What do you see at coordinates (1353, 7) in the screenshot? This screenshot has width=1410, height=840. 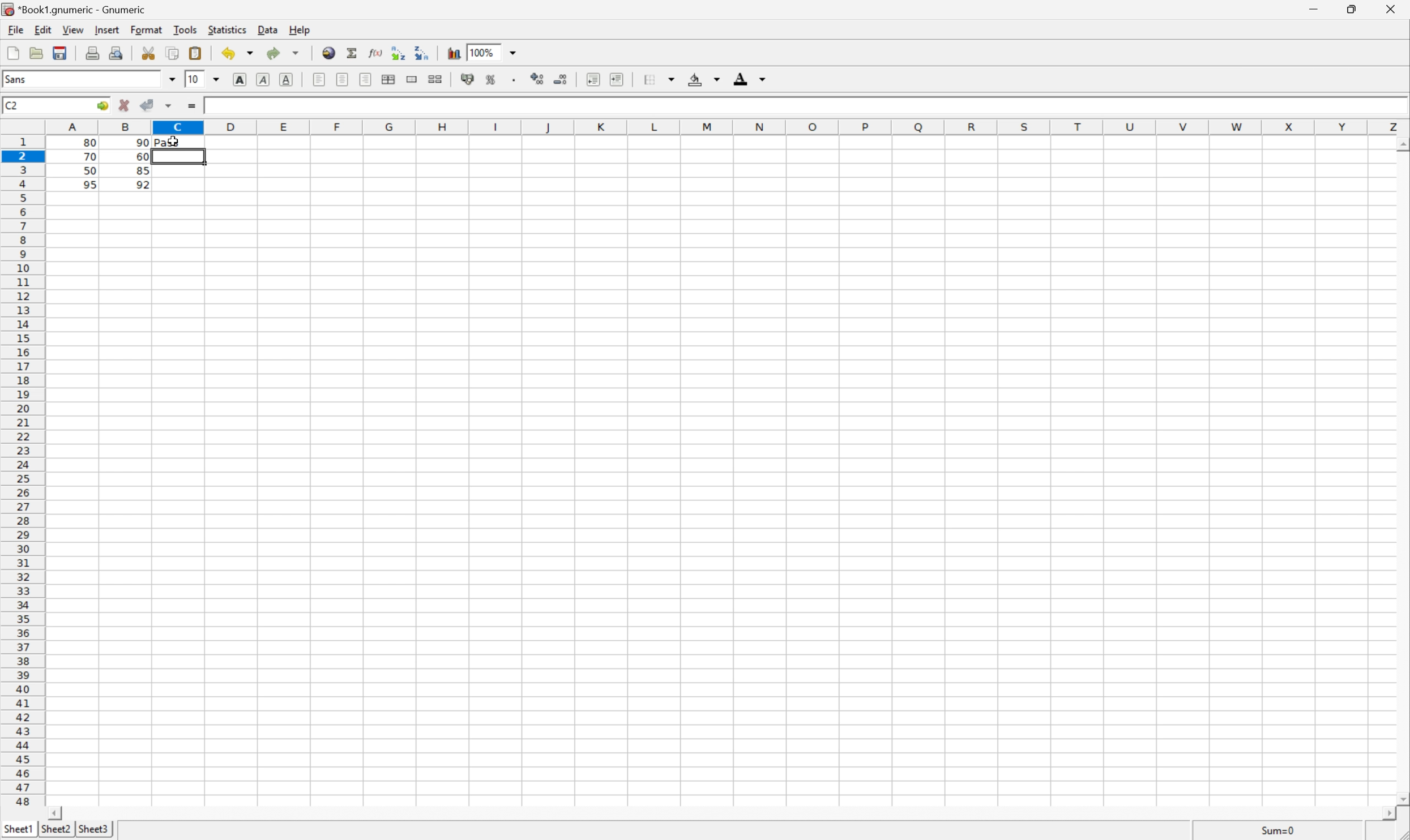 I see `Restore Down` at bounding box center [1353, 7].